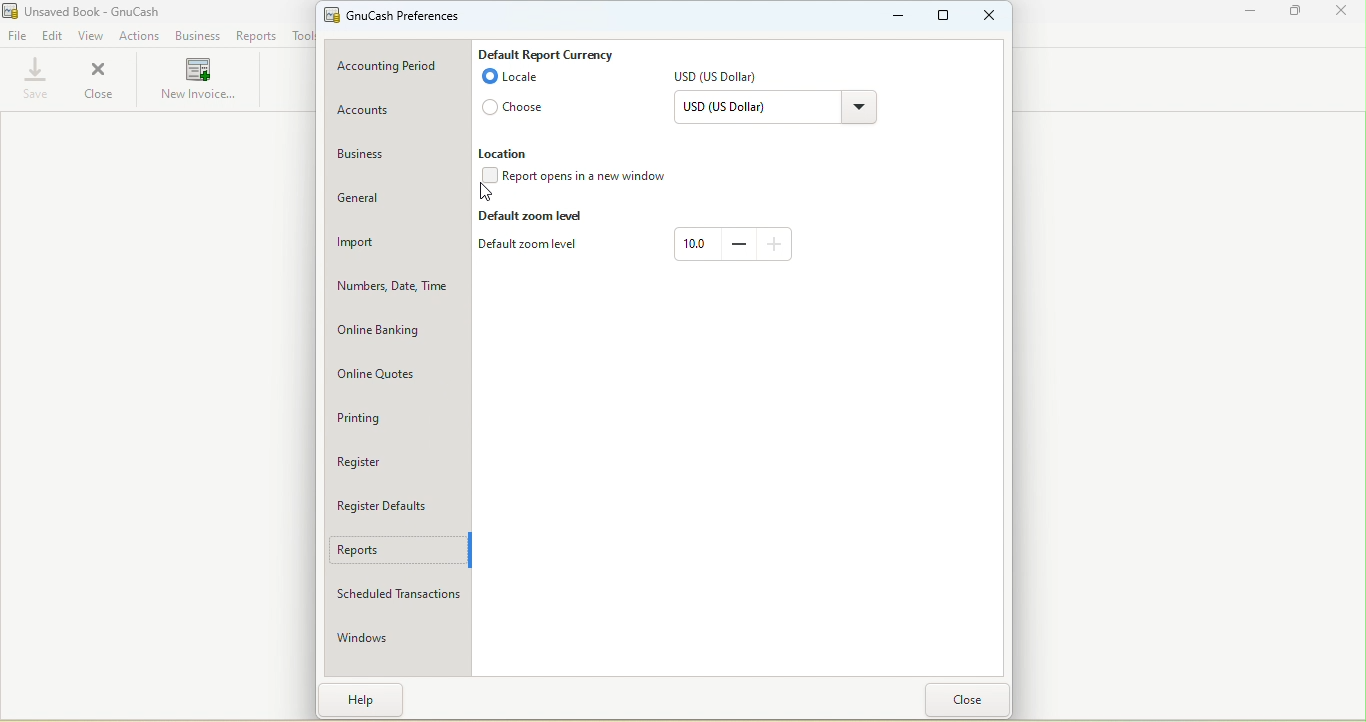 This screenshot has width=1366, height=722. I want to click on Register, so click(390, 459).